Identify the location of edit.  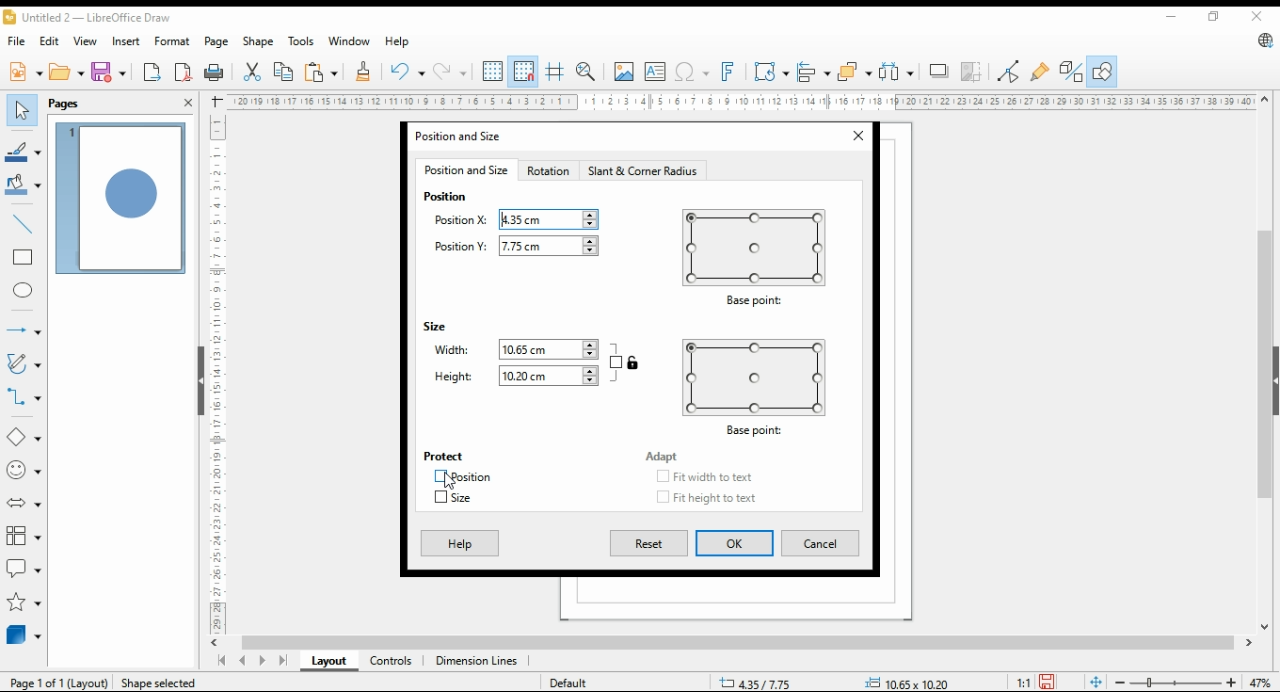
(49, 41).